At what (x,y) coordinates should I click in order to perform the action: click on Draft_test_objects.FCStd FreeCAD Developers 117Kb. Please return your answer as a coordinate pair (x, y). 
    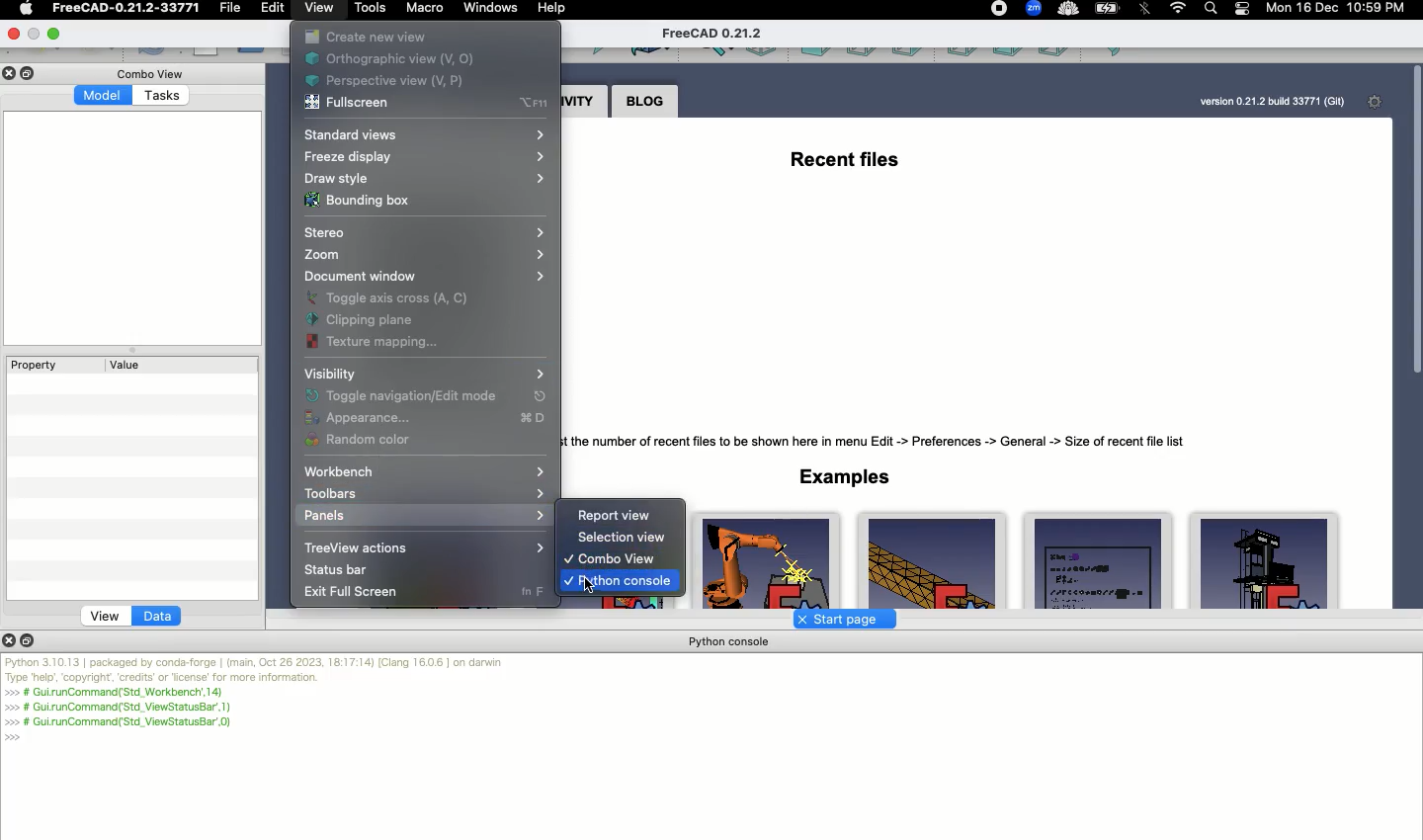
    Looking at the image, I should click on (1094, 561).